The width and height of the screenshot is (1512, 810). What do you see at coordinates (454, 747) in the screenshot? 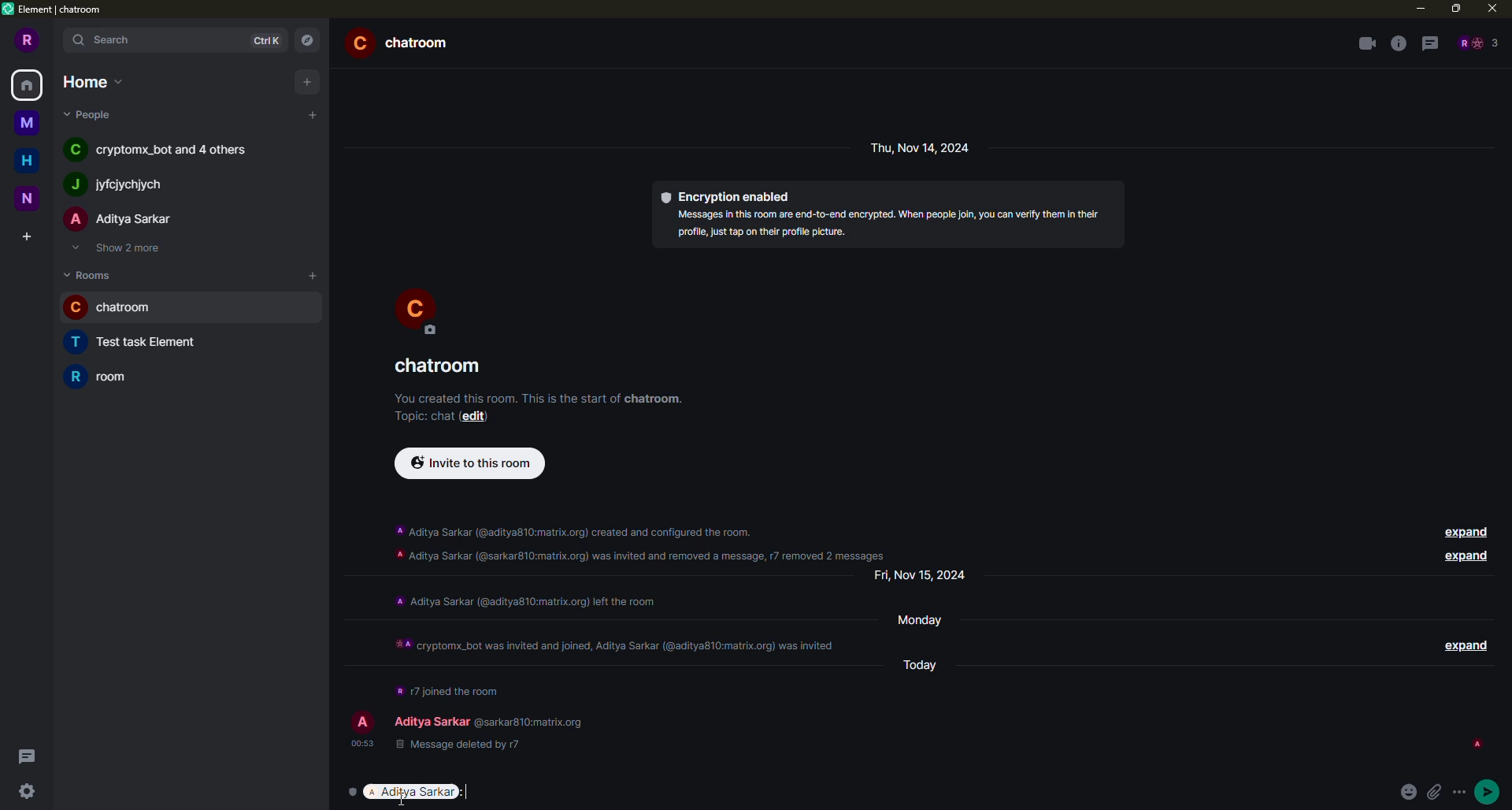
I see `deleted` at bounding box center [454, 747].